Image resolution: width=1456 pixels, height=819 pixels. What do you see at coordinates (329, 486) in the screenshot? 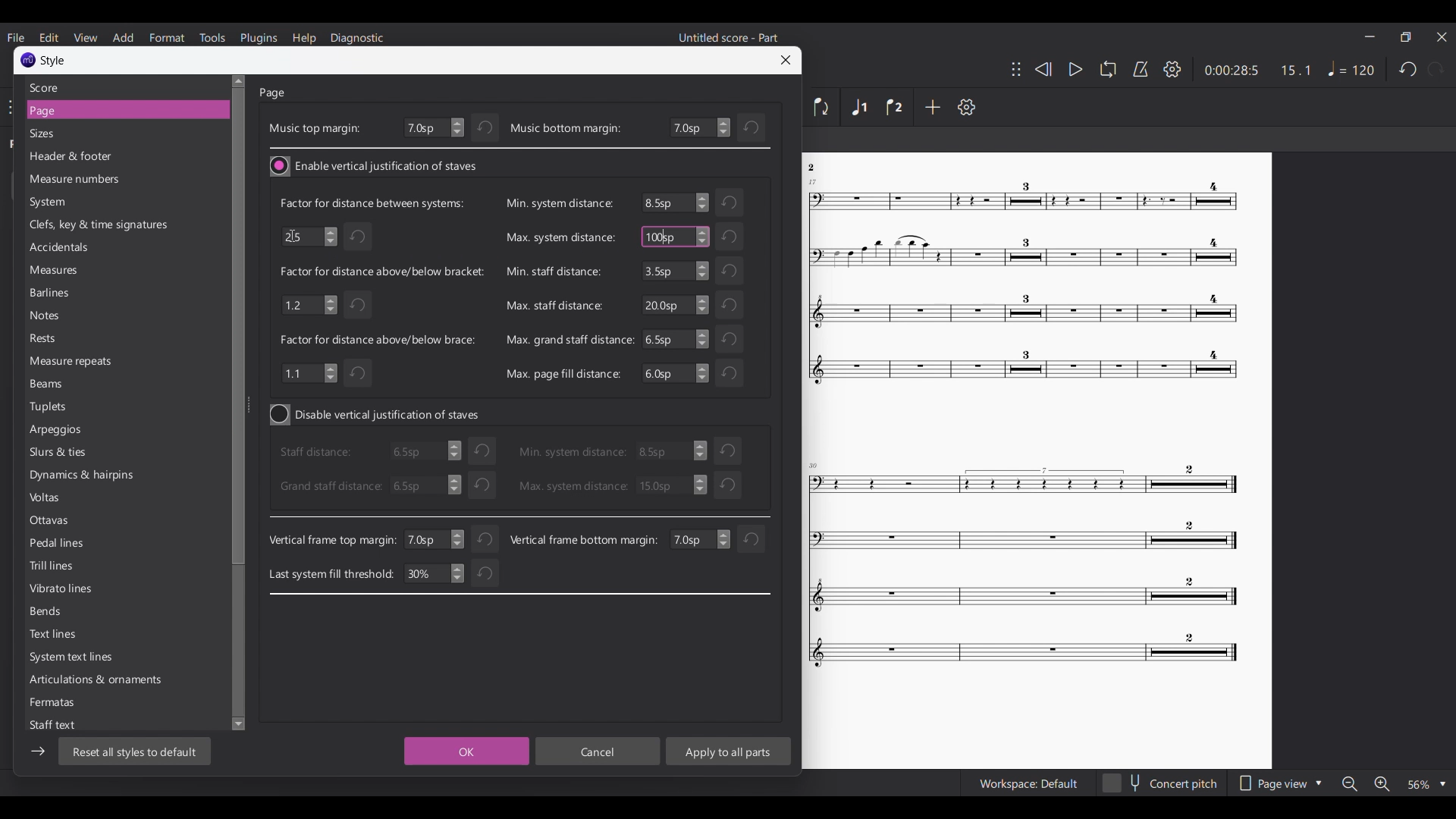
I see `Grand staff distance` at bounding box center [329, 486].